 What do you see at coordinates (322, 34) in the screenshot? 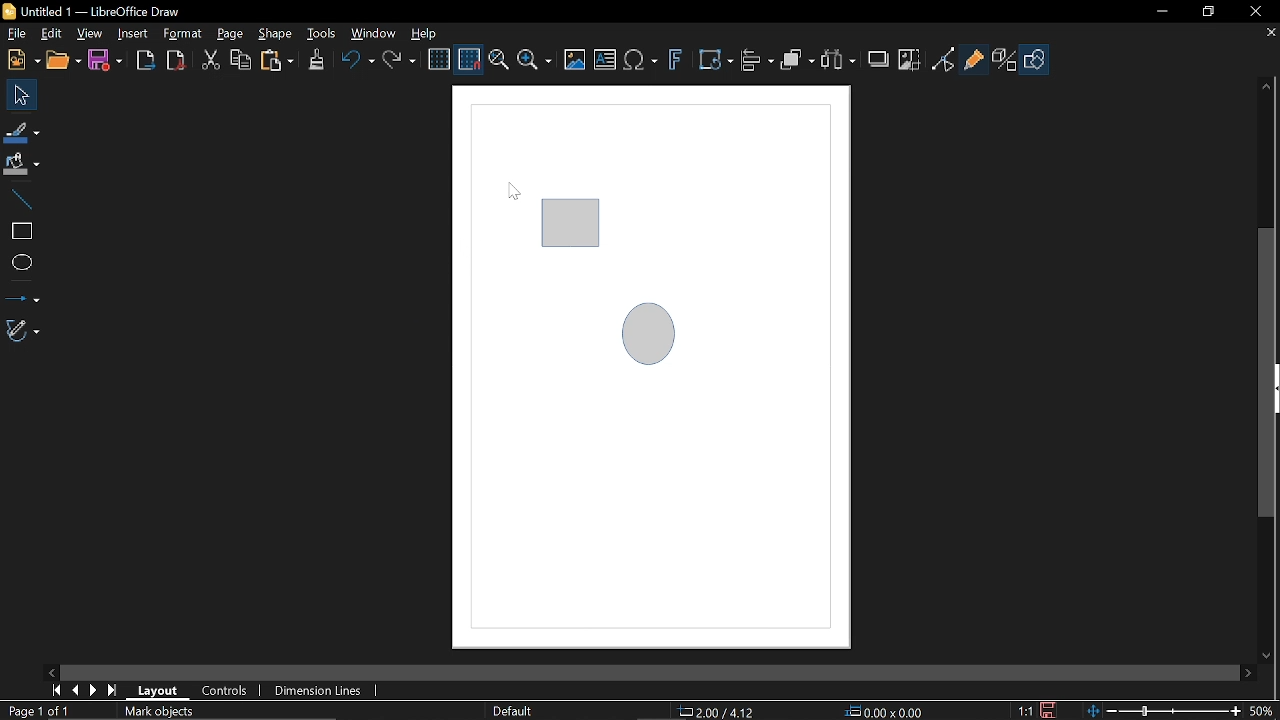
I see `Tools` at bounding box center [322, 34].